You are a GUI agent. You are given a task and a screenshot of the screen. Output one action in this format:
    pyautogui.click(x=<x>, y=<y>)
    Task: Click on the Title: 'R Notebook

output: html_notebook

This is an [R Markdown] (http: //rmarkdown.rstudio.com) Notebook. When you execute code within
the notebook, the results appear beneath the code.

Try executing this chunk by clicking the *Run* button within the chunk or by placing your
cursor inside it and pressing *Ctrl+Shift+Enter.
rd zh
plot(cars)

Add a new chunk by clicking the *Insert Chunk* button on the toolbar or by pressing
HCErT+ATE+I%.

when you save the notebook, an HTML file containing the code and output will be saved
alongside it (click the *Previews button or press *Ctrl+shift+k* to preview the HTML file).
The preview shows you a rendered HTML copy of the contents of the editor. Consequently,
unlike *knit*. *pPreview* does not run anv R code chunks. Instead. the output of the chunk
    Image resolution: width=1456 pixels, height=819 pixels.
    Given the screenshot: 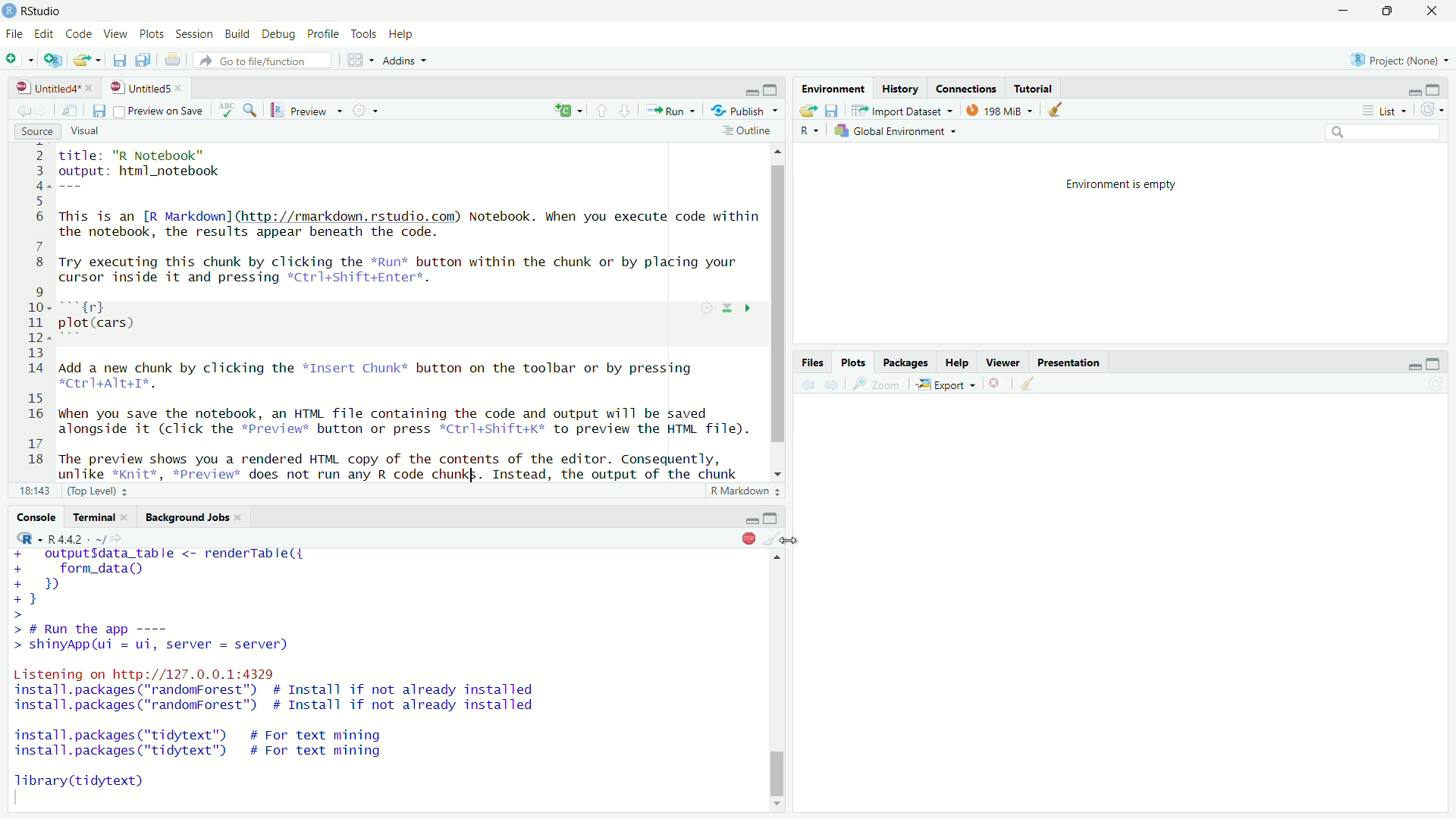 What is the action you would take?
    pyautogui.click(x=407, y=312)
    